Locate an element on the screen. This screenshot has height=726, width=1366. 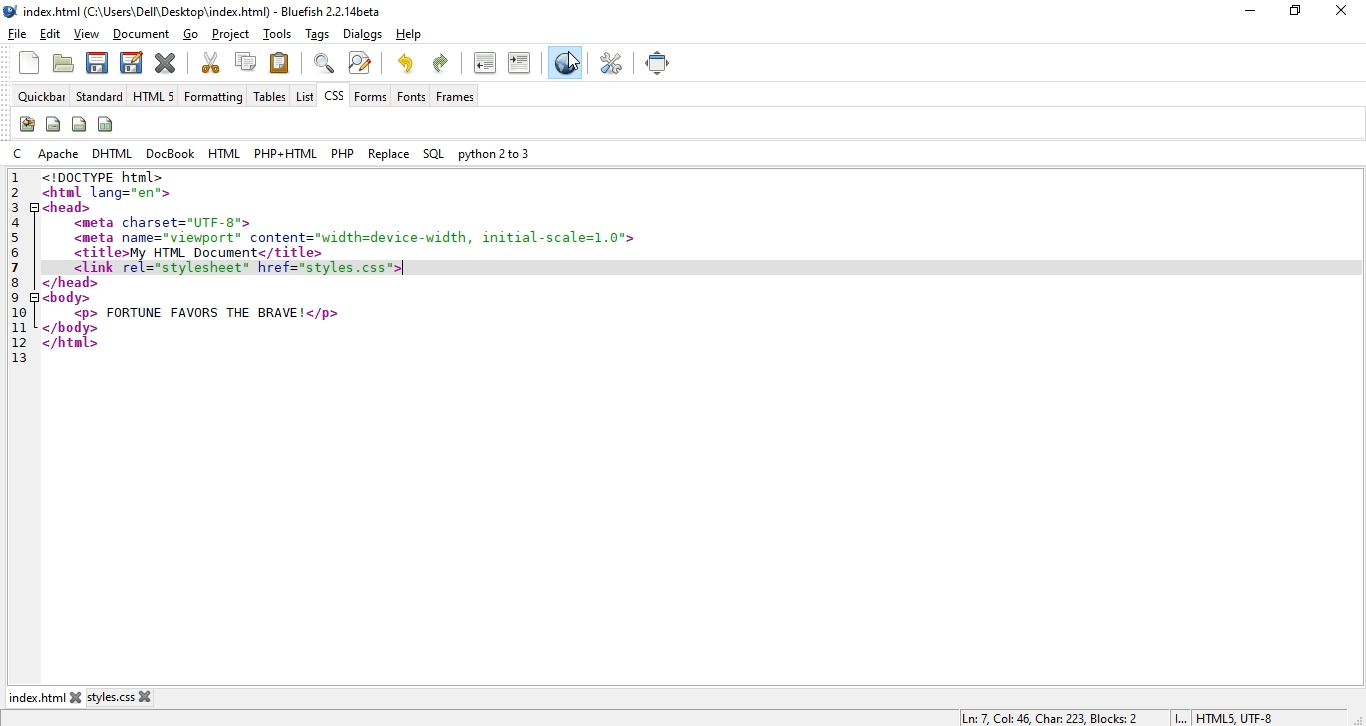
forms is located at coordinates (372, 96).